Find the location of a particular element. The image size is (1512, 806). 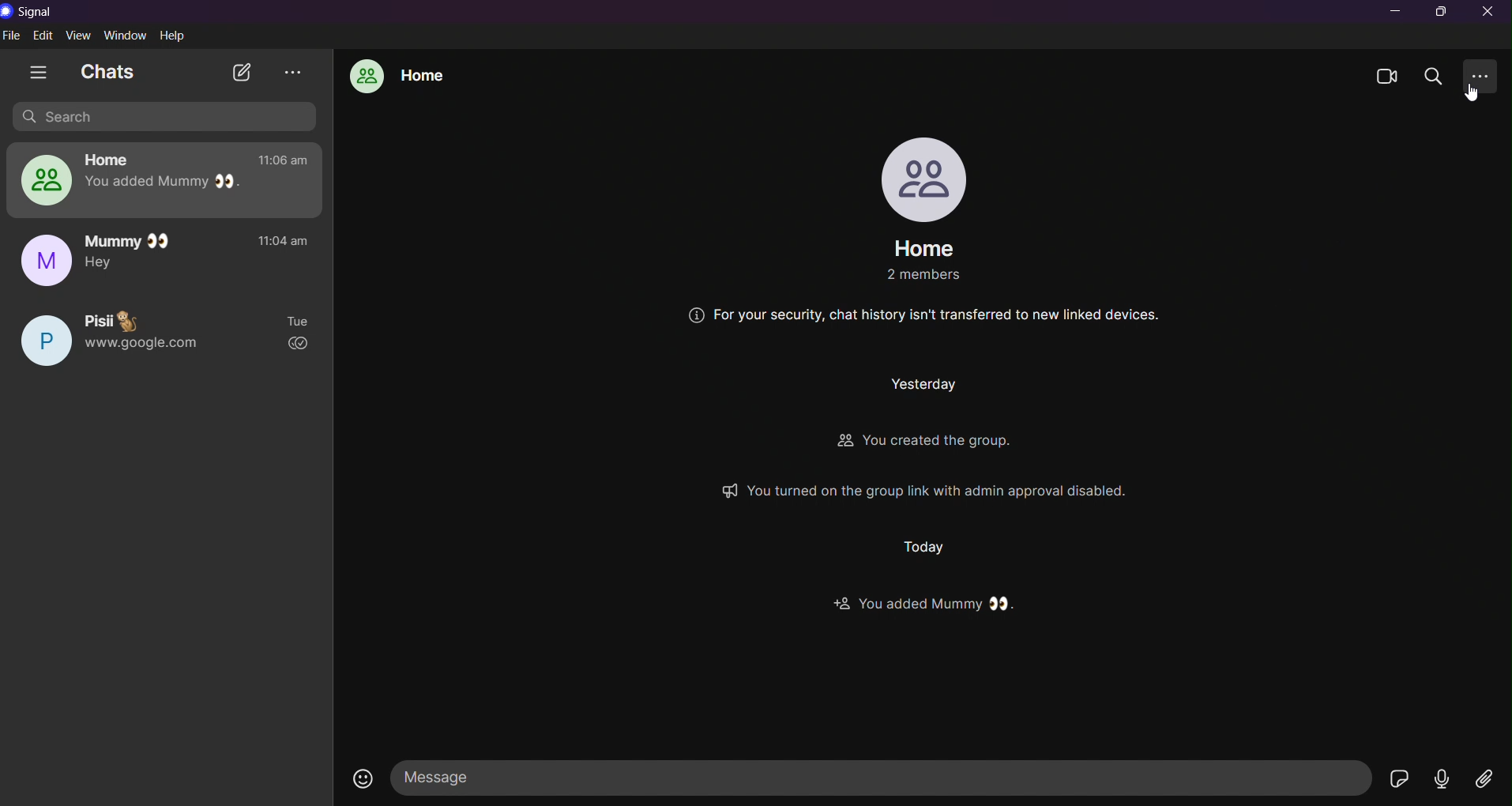

stickers is located at coordinates (1399, 779).